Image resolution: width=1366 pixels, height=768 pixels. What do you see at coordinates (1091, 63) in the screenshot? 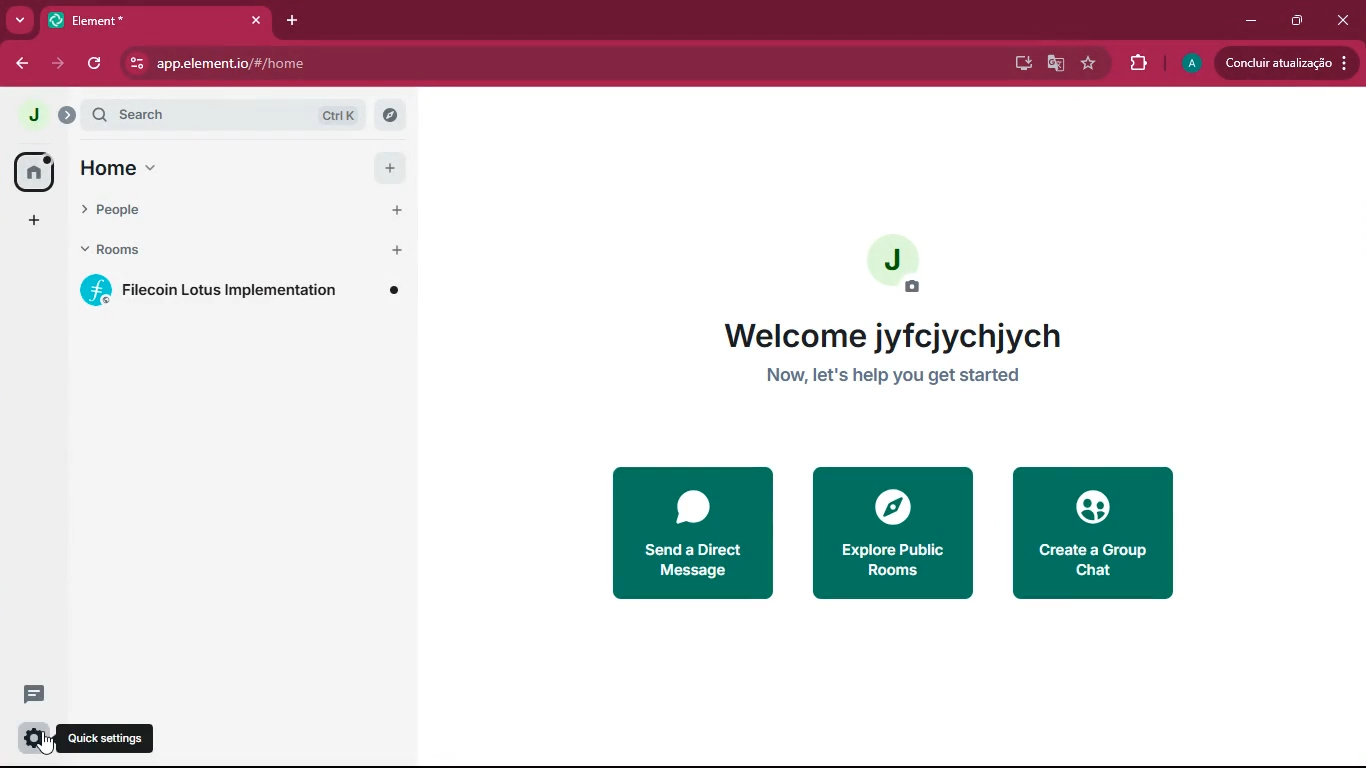
I see `favourite` at bounding box center [1091, 63].